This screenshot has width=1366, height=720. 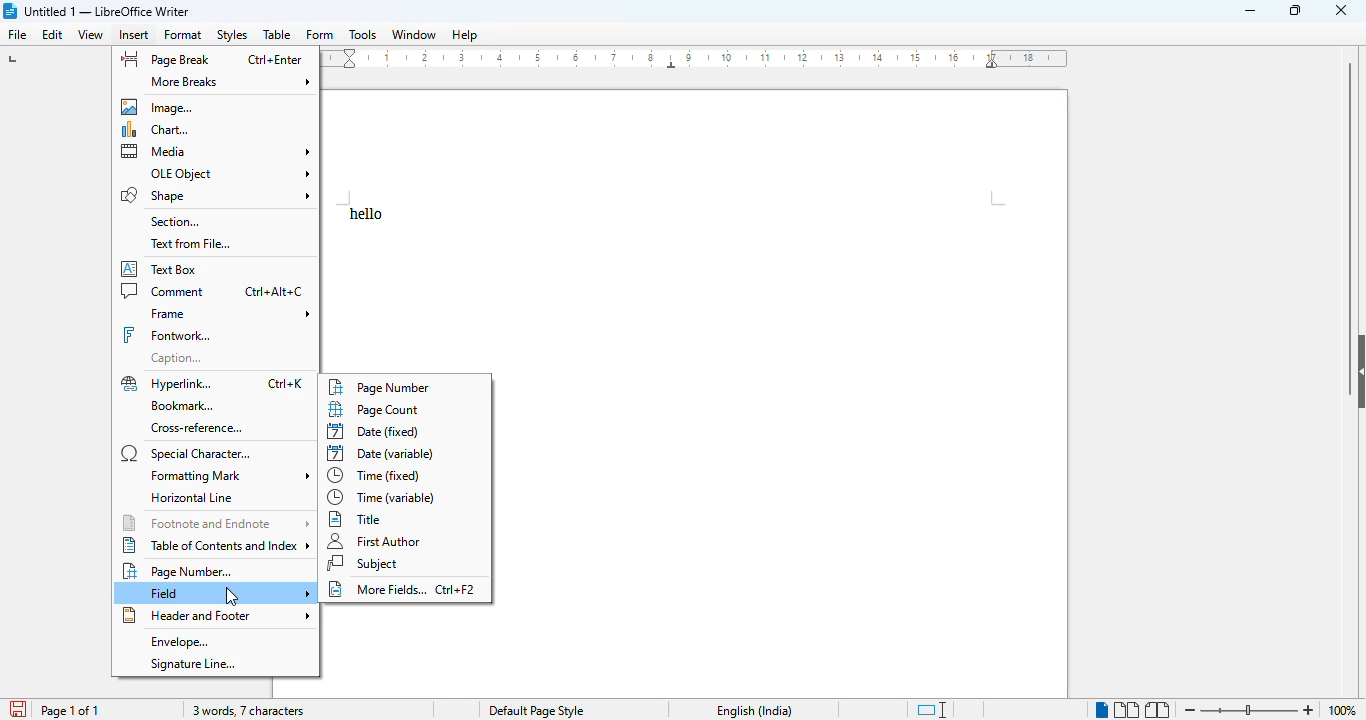 I want to click on frame, so click(x=229, y=314).